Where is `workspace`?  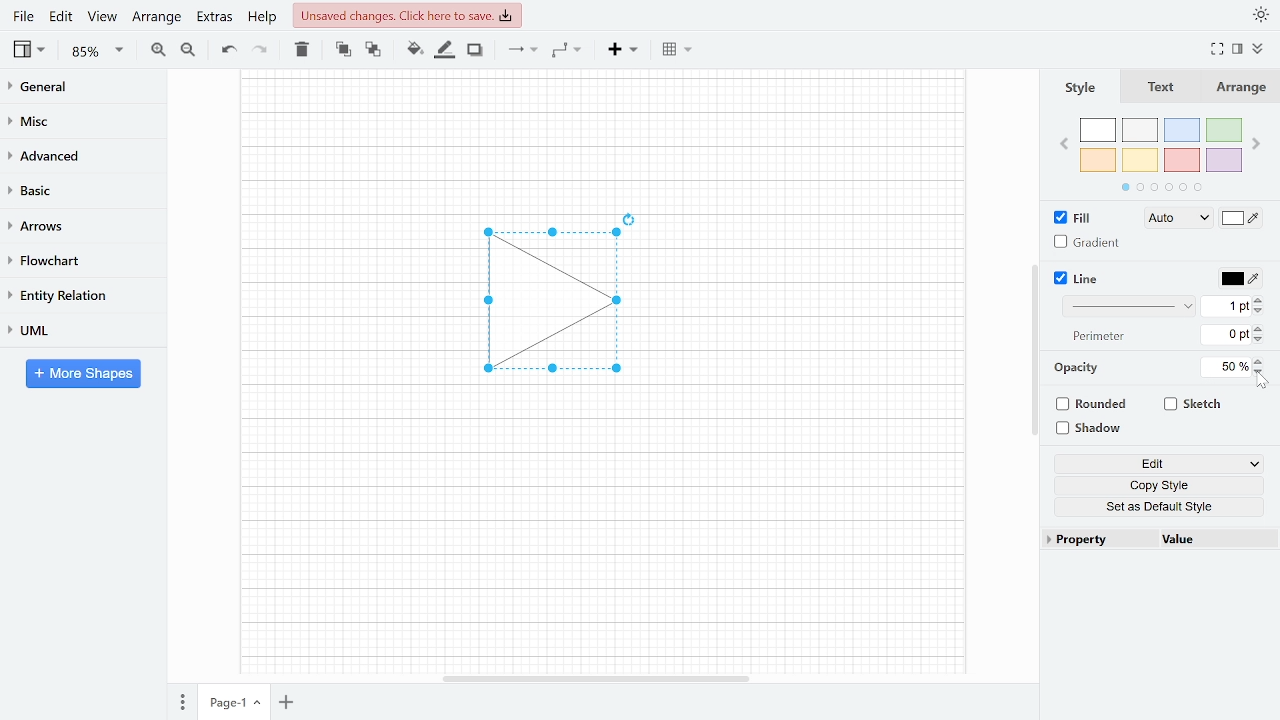 workspace is located at coordinates (819, 302).